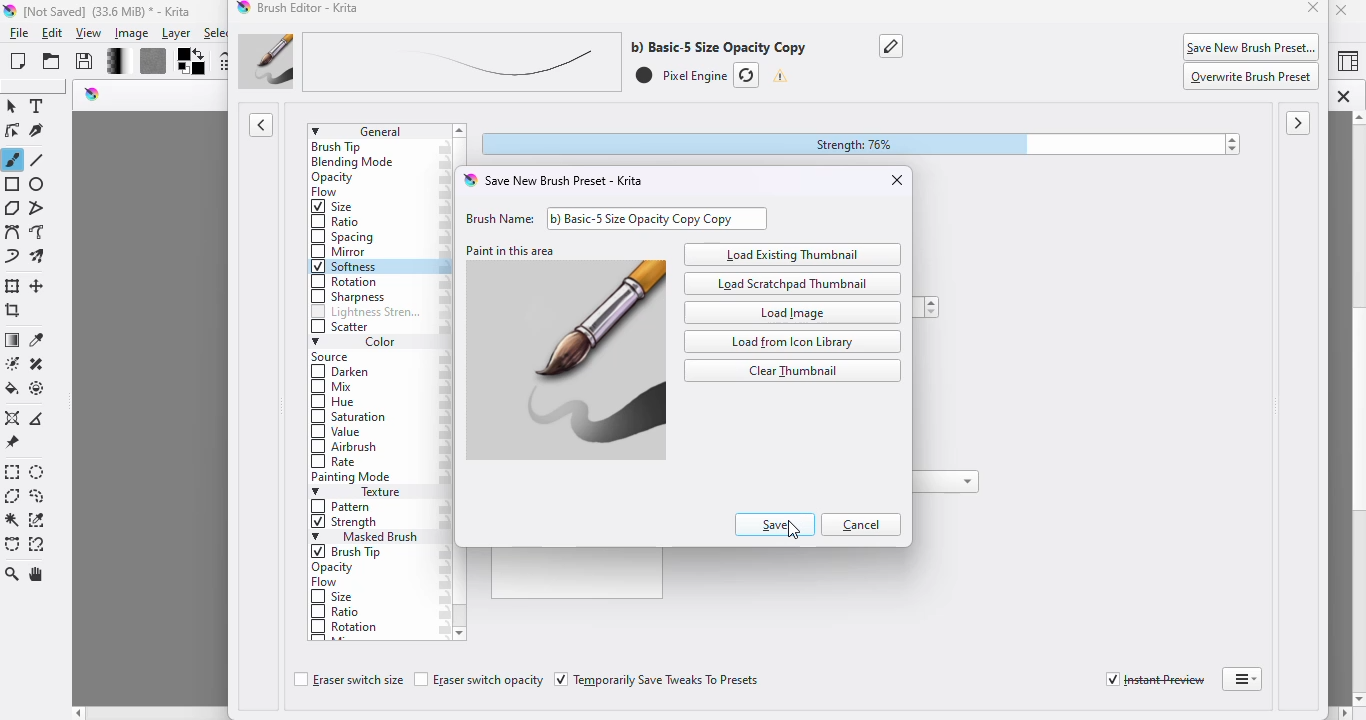 Image resolution: width=1366 pixels, height=720 pixels. Describe the element at coordinates (337, 434) in the screenshot. I see `value` at that location.